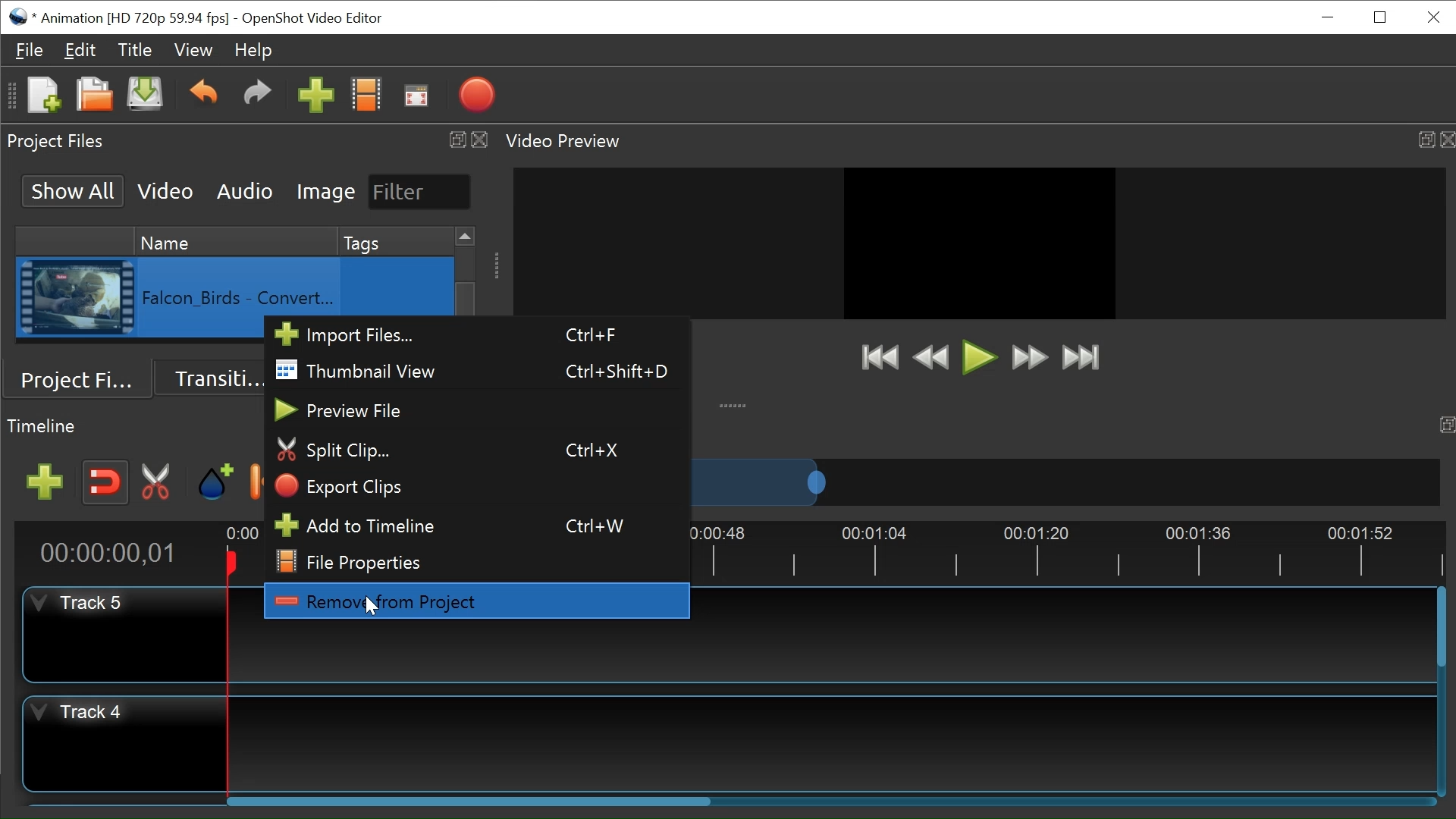  What do you see at coordinates (474, 370) in the screenshot?
I see `Thumbnail View` at bounding box center [474, 370].